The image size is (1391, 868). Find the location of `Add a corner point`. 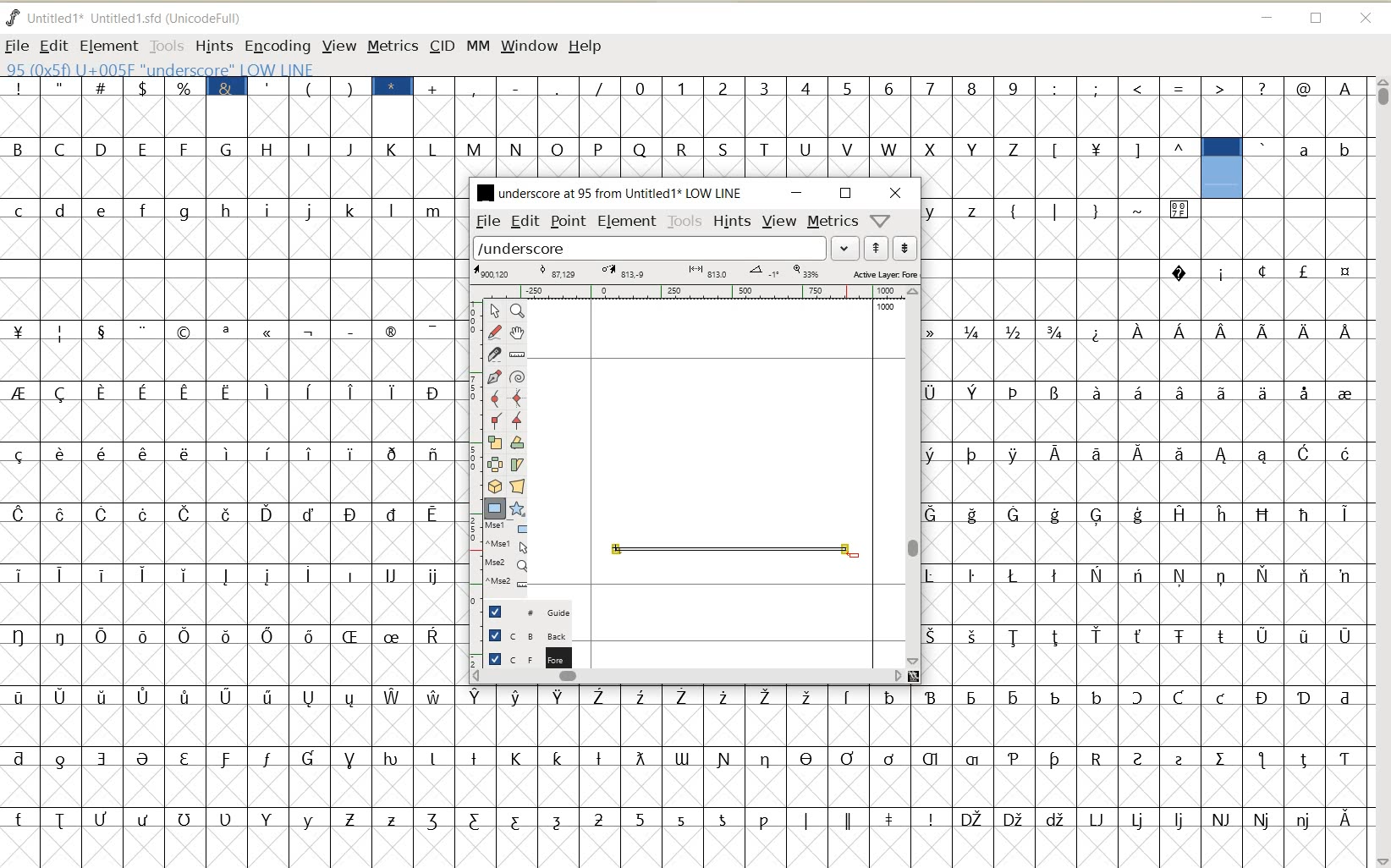

Add a corner point is located at coordinates (518, 420).